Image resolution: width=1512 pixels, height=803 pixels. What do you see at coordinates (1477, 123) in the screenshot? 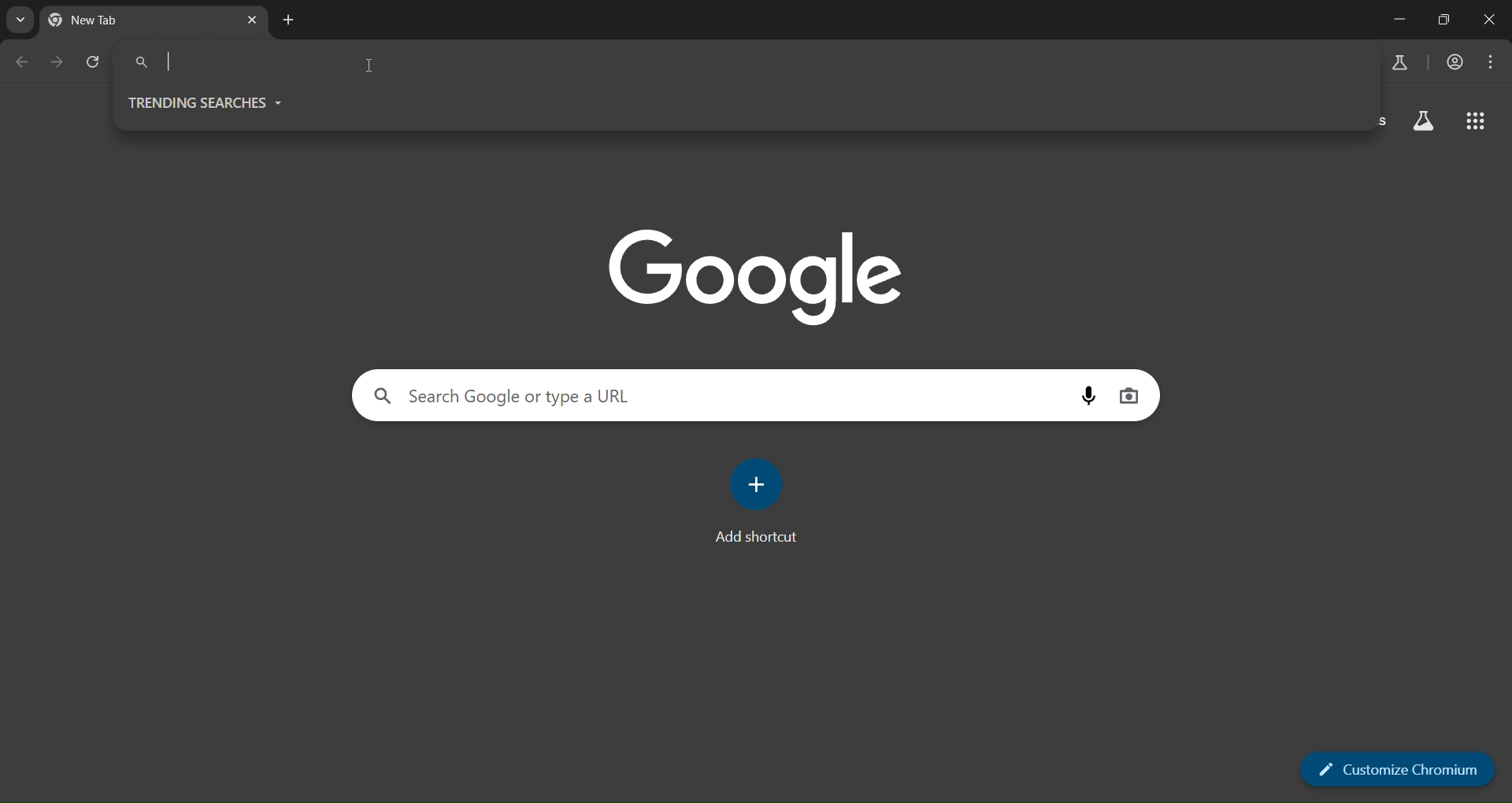
I see `google apps` at bounding box center [1477, 123].